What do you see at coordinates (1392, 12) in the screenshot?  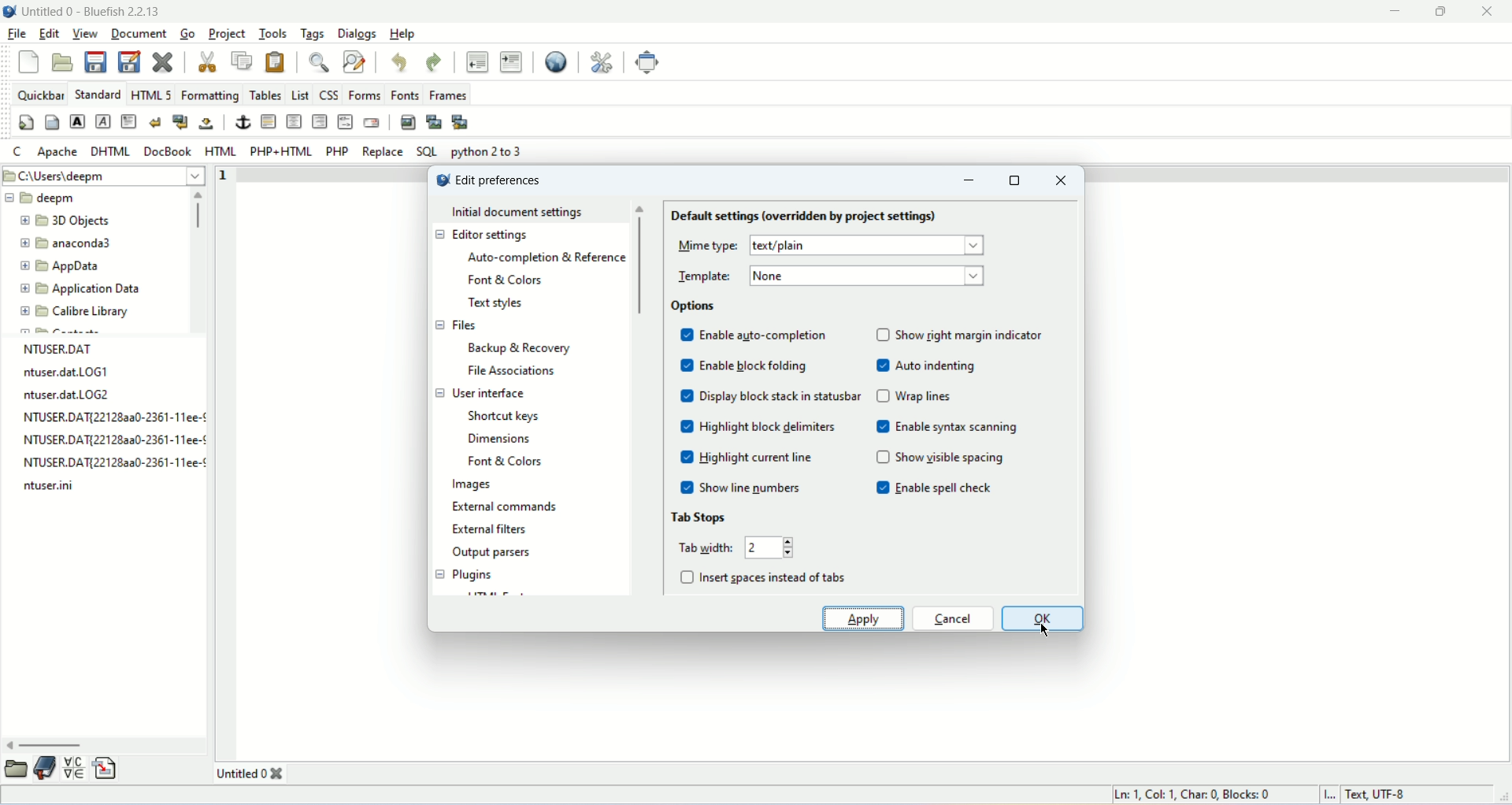 I see `minimize` at bounding box center [1392, 12].